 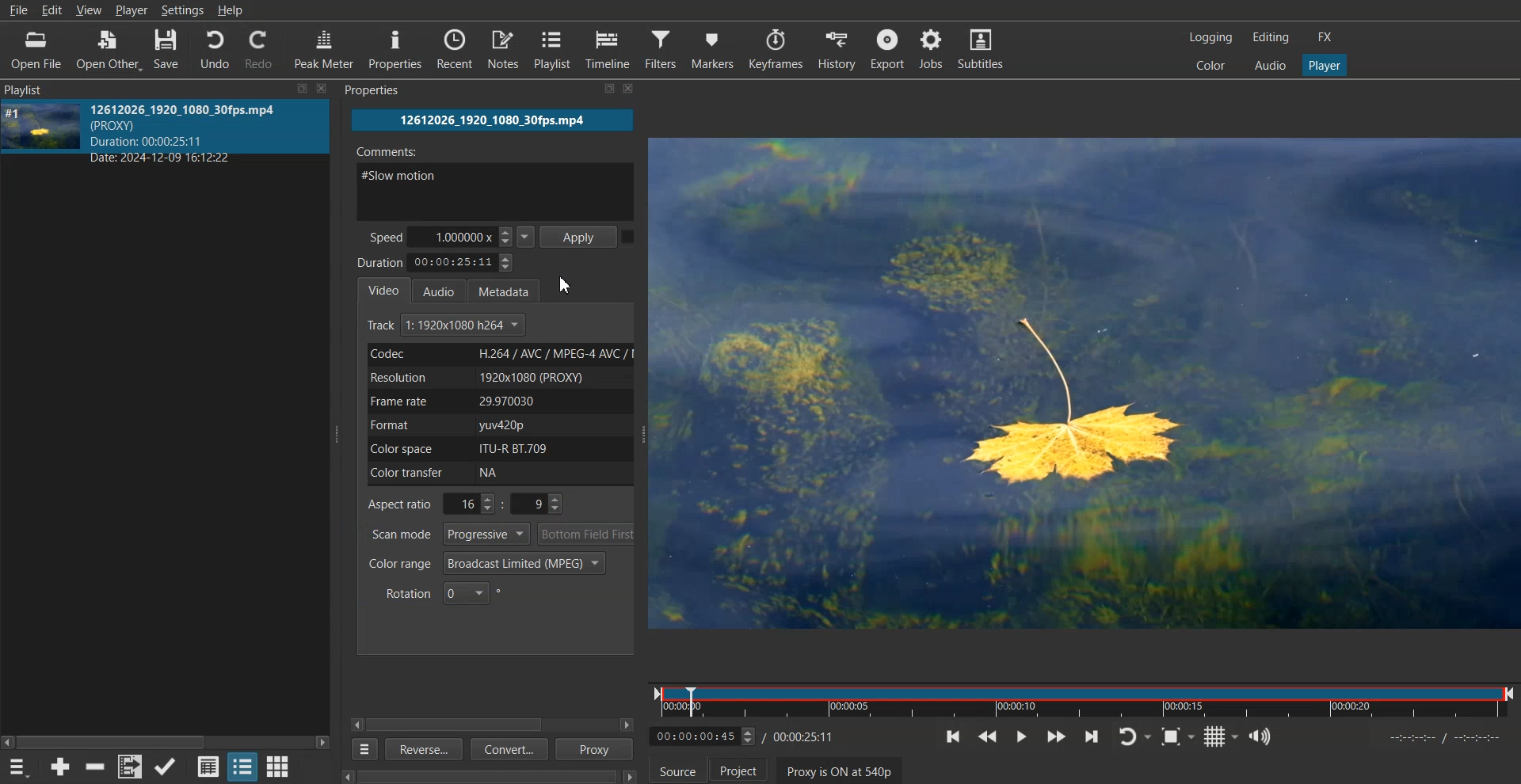 What do you see at coordinates (507, 751) in the screenshot?
I see `Convert` at bounding box center [507, 751].